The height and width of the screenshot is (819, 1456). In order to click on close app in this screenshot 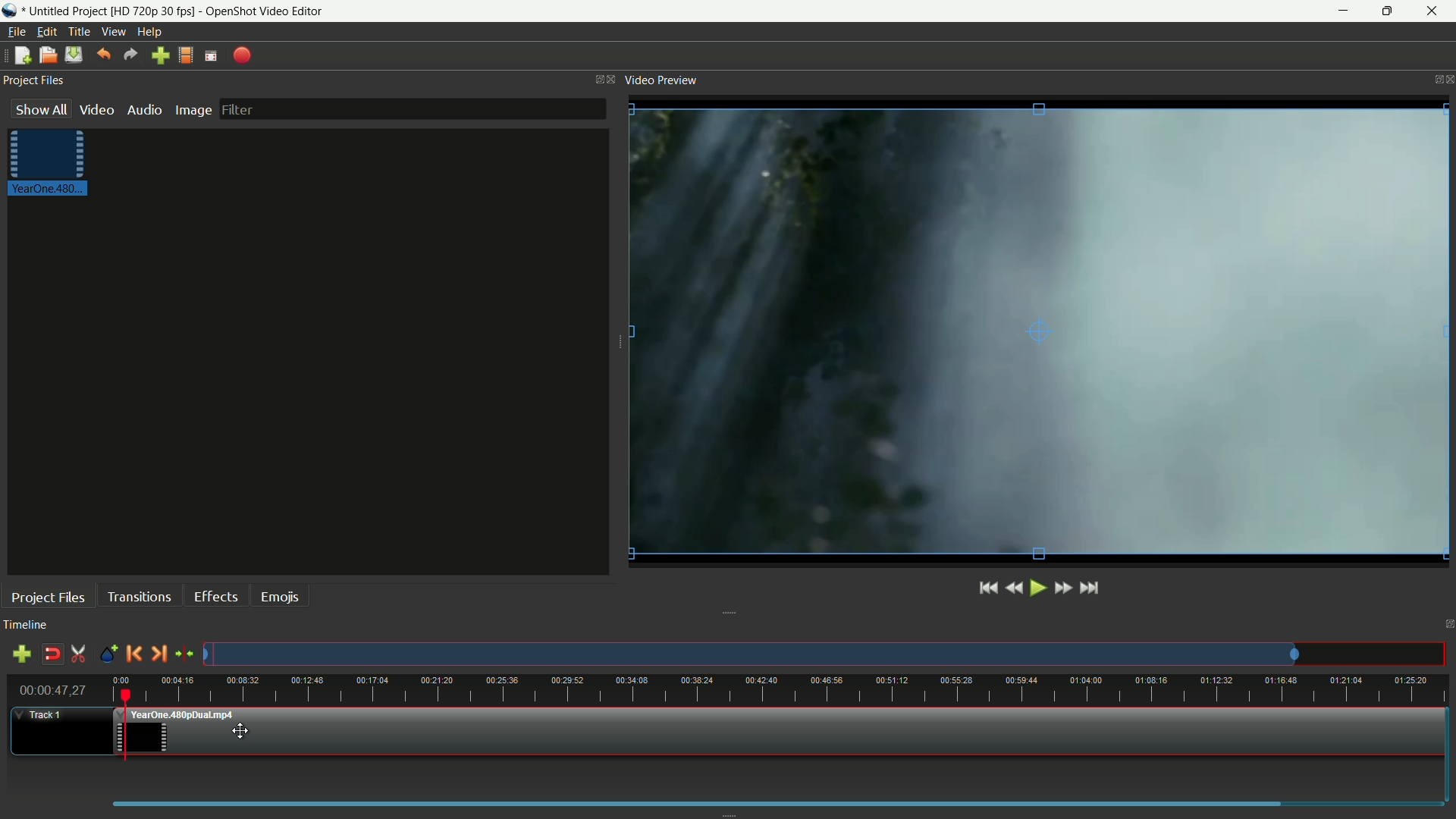, I will do `click(1434, 11)`.